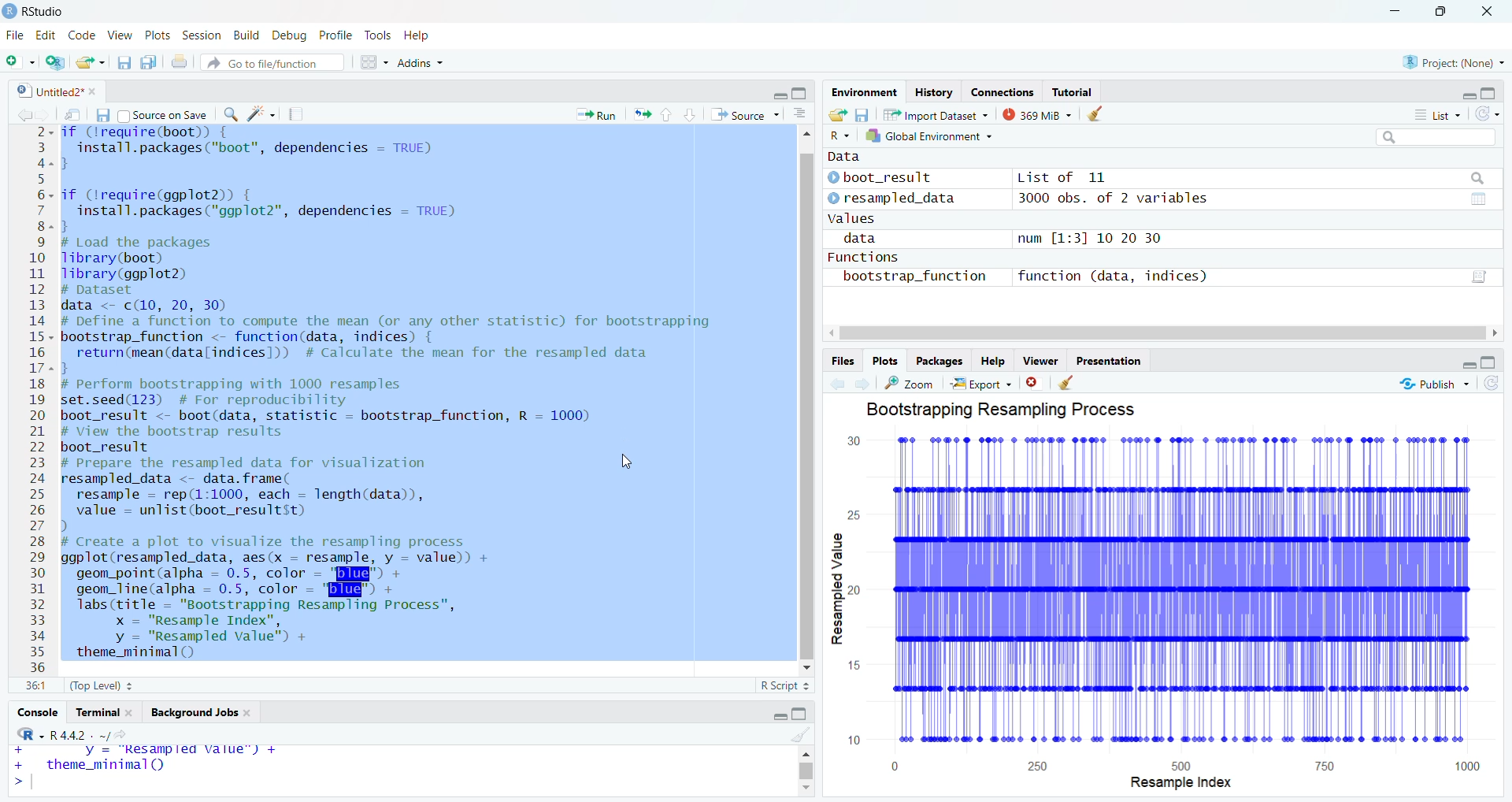  Describe the element at coordinates (1099, 114) in the screenshot. I see `clear history` at that location.